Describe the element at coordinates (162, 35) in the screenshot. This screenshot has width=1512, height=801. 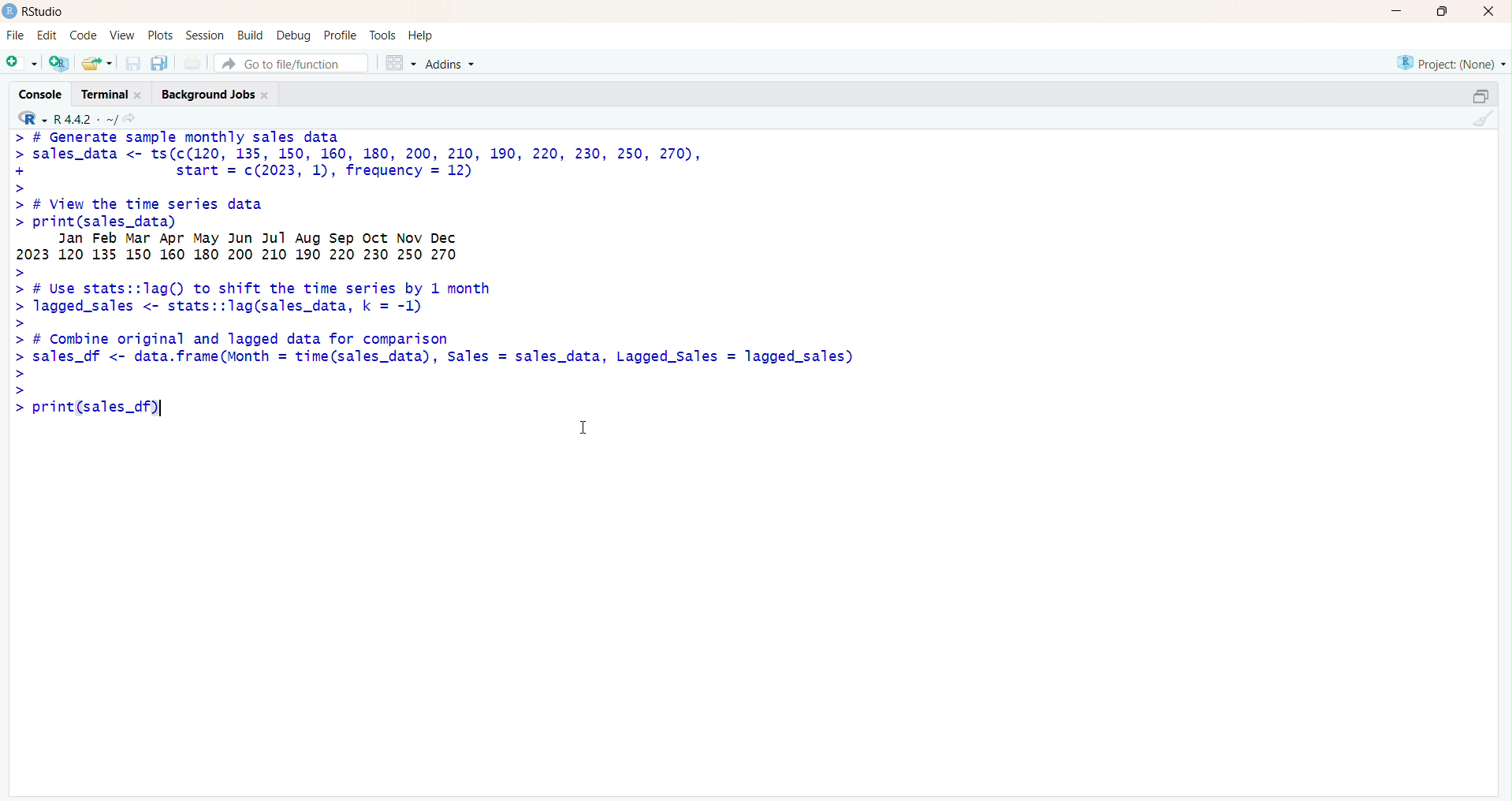
I see `plots` at that location.